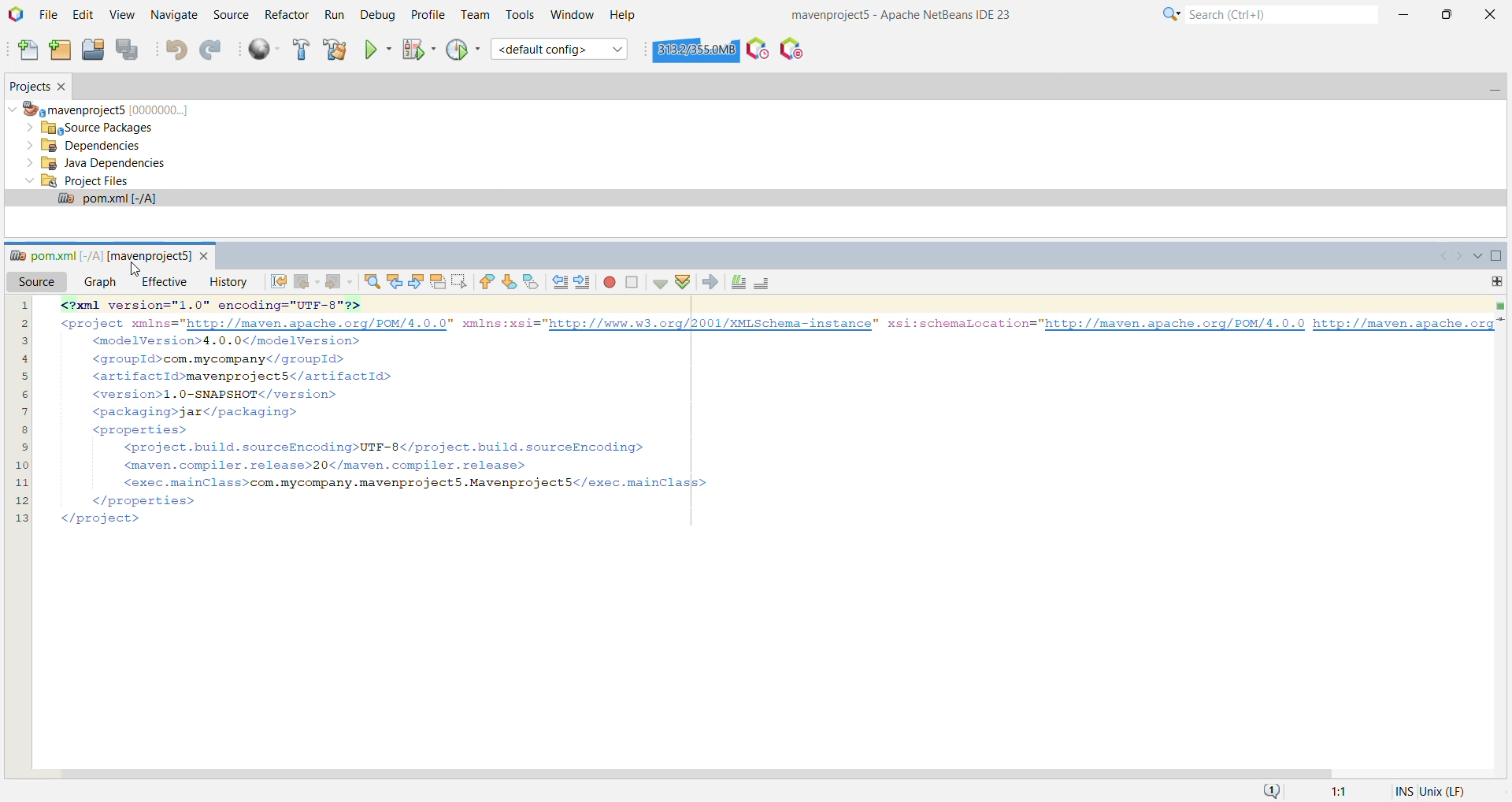 This screenshot has height=802, width=1512. What do you see at coordinates (229, 282) in the screenshot?
I see `History` at bounding box center [229, 282].